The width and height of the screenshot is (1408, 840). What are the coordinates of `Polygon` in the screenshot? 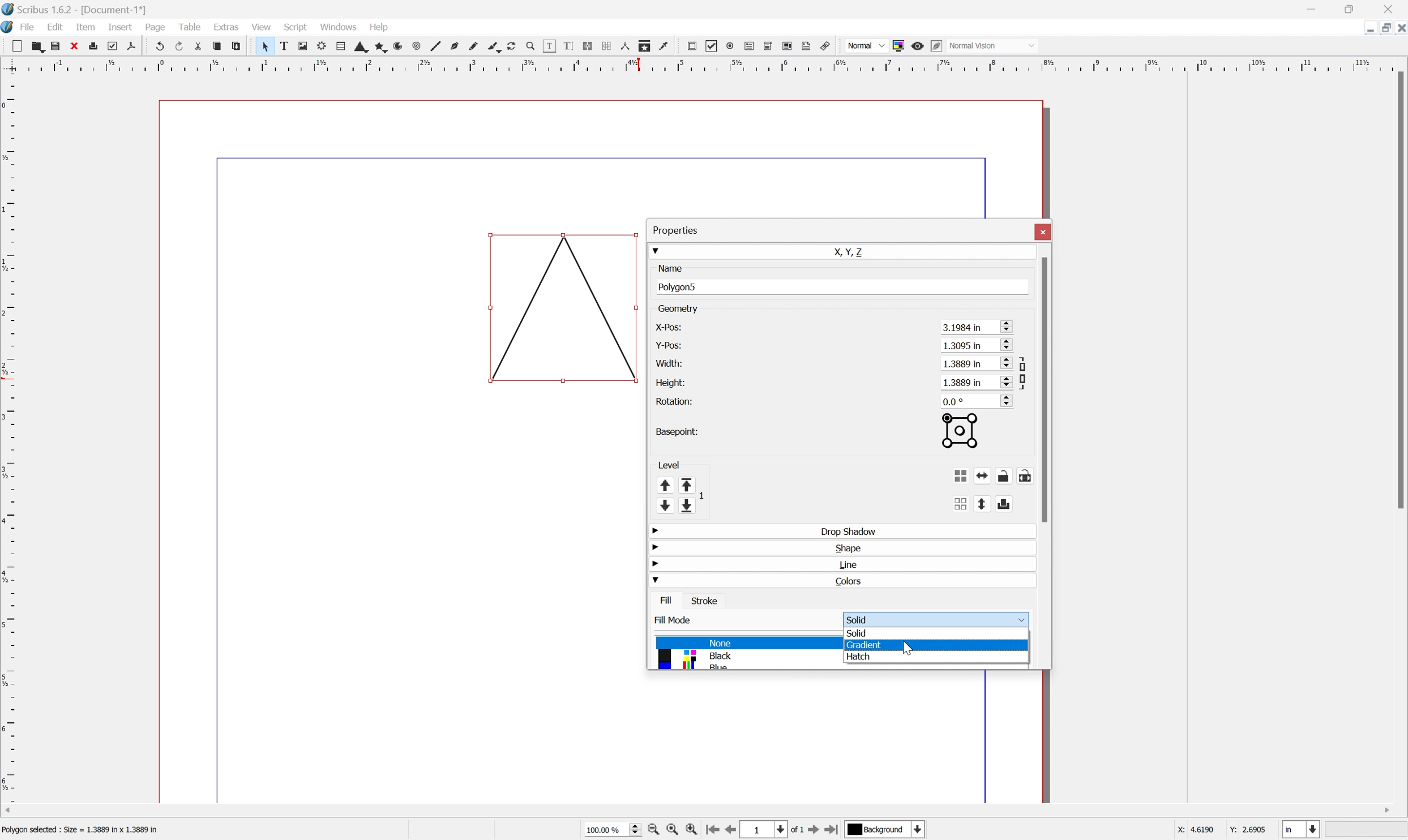 It's located at (376, 47).